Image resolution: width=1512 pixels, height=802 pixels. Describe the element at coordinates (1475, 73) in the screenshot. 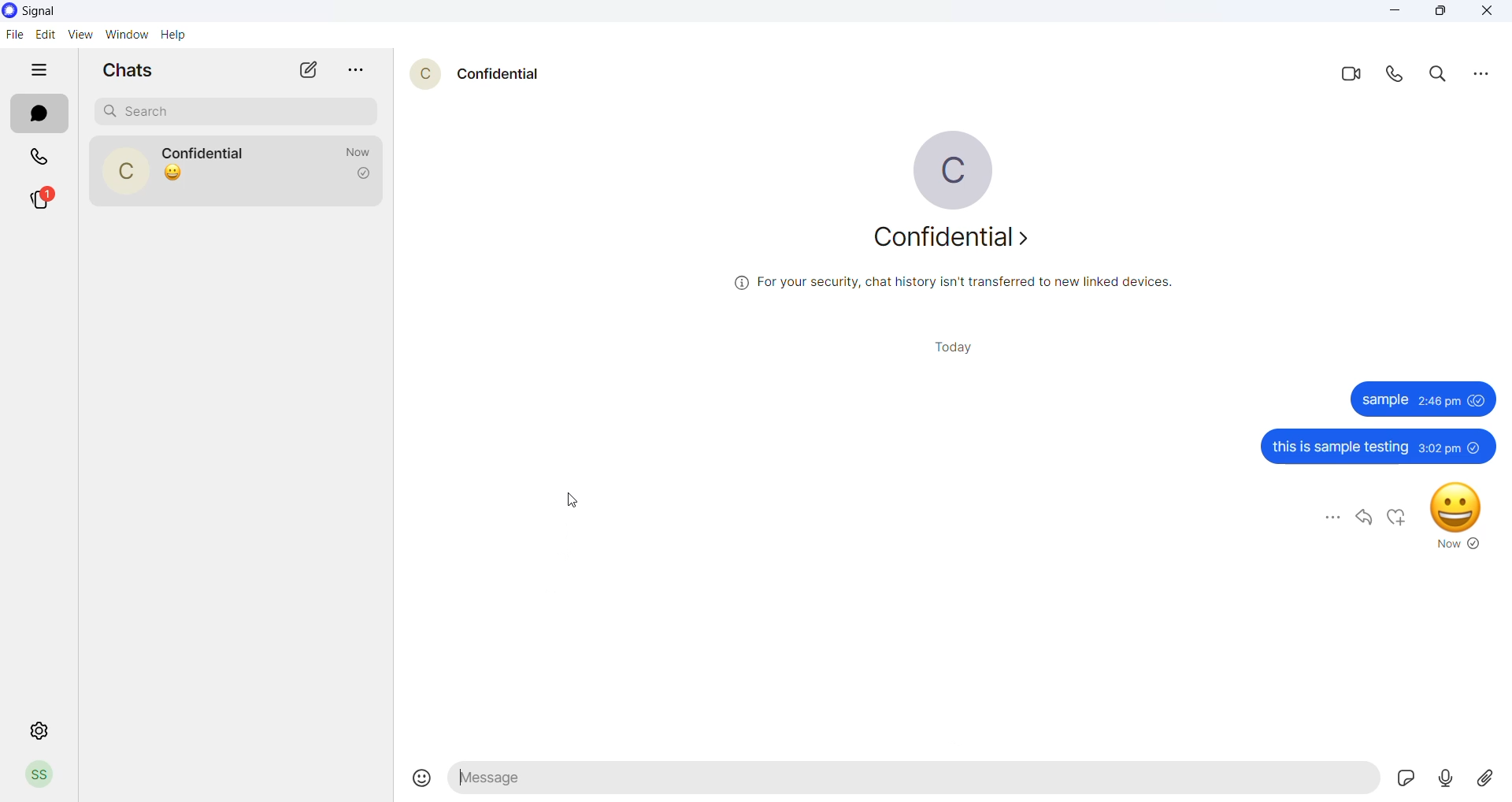

I see `more options` at that location.